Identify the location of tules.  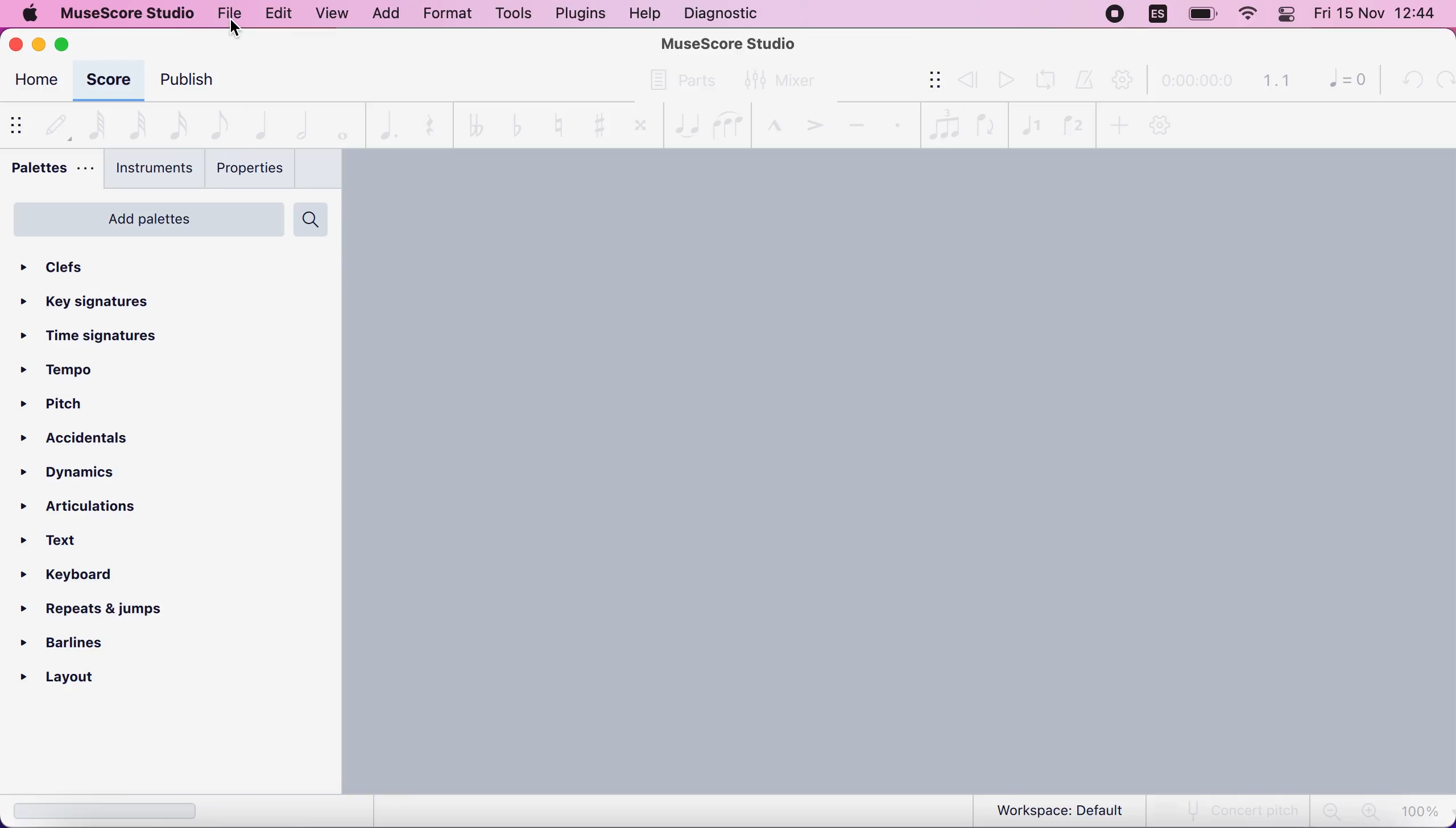
(944, 123).